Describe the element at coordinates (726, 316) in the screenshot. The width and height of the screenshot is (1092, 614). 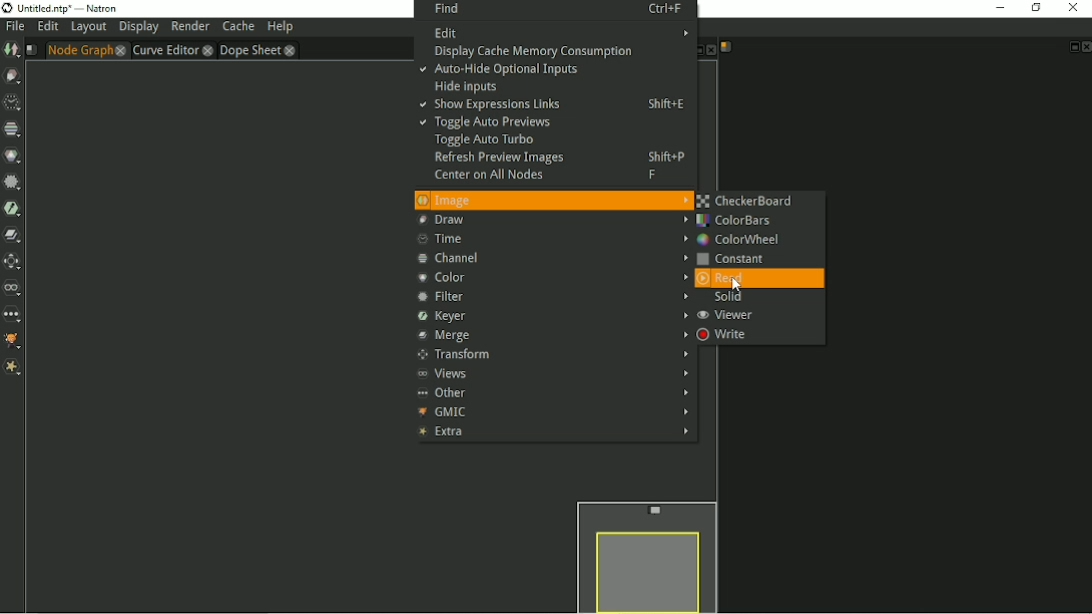
I see `Viewer` at that location.